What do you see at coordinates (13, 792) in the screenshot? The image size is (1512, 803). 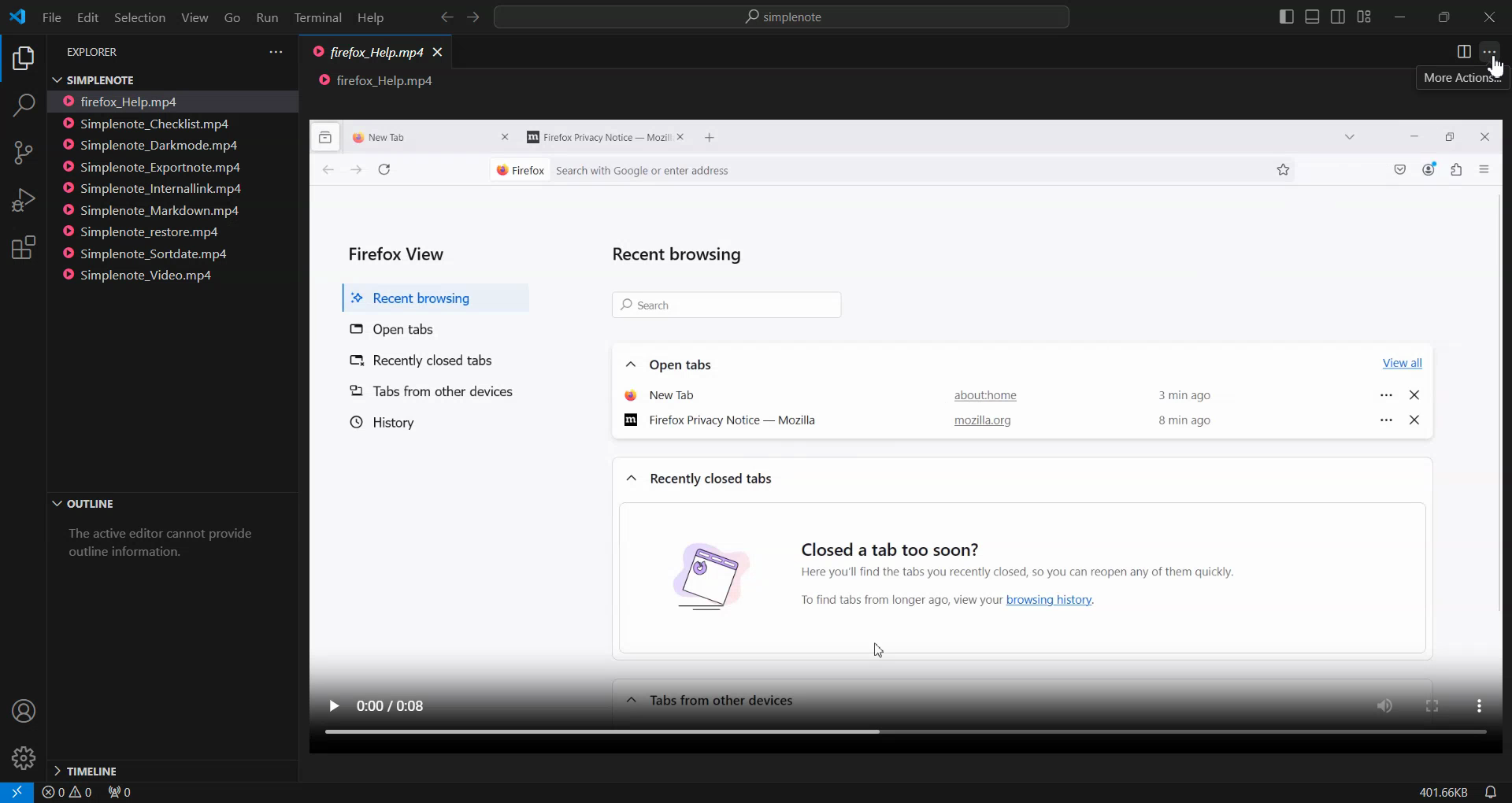 I see `Open a remote window` at bounding box center [13, 792].